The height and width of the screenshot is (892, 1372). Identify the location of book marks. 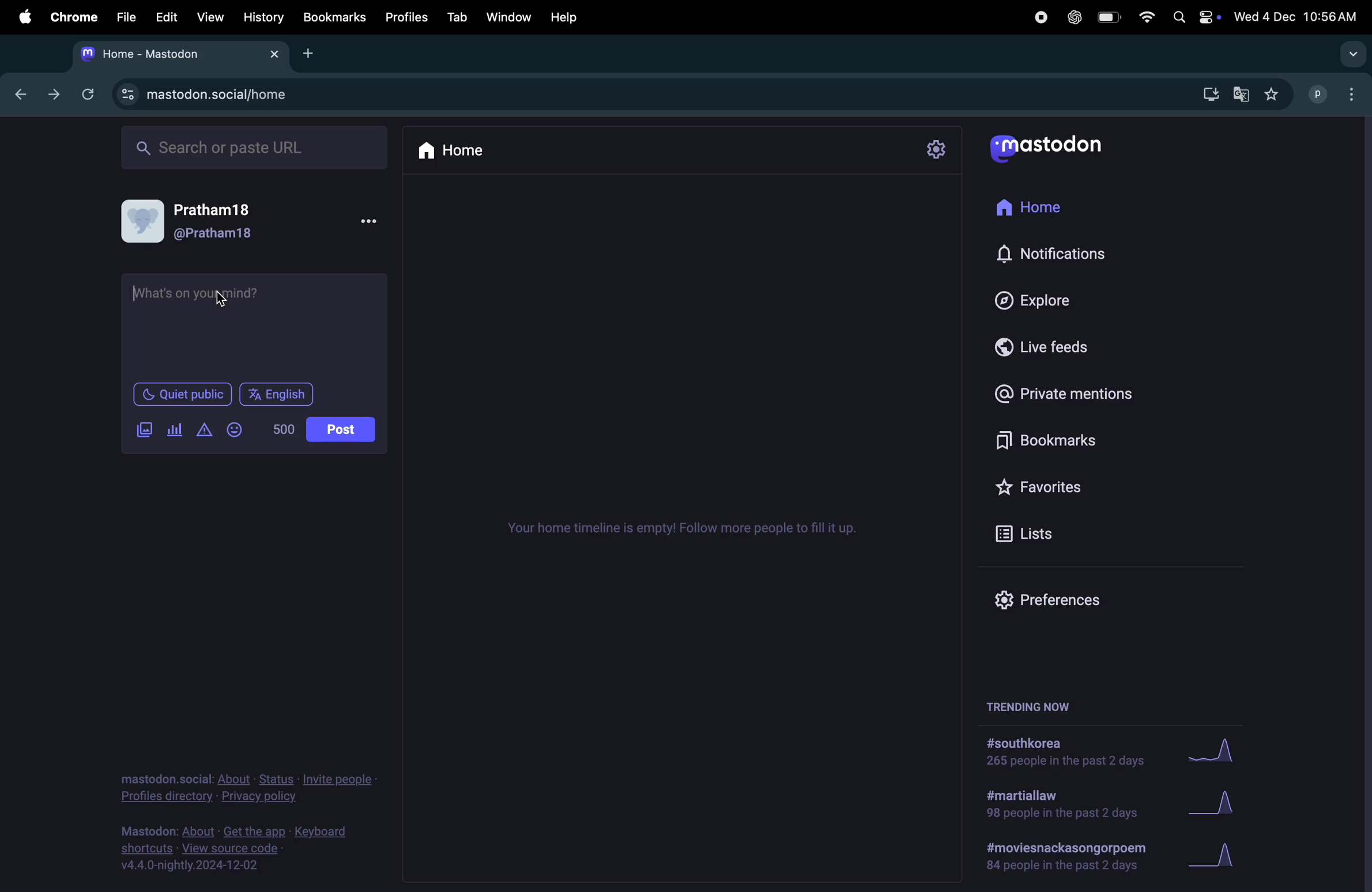
(1065, 436).